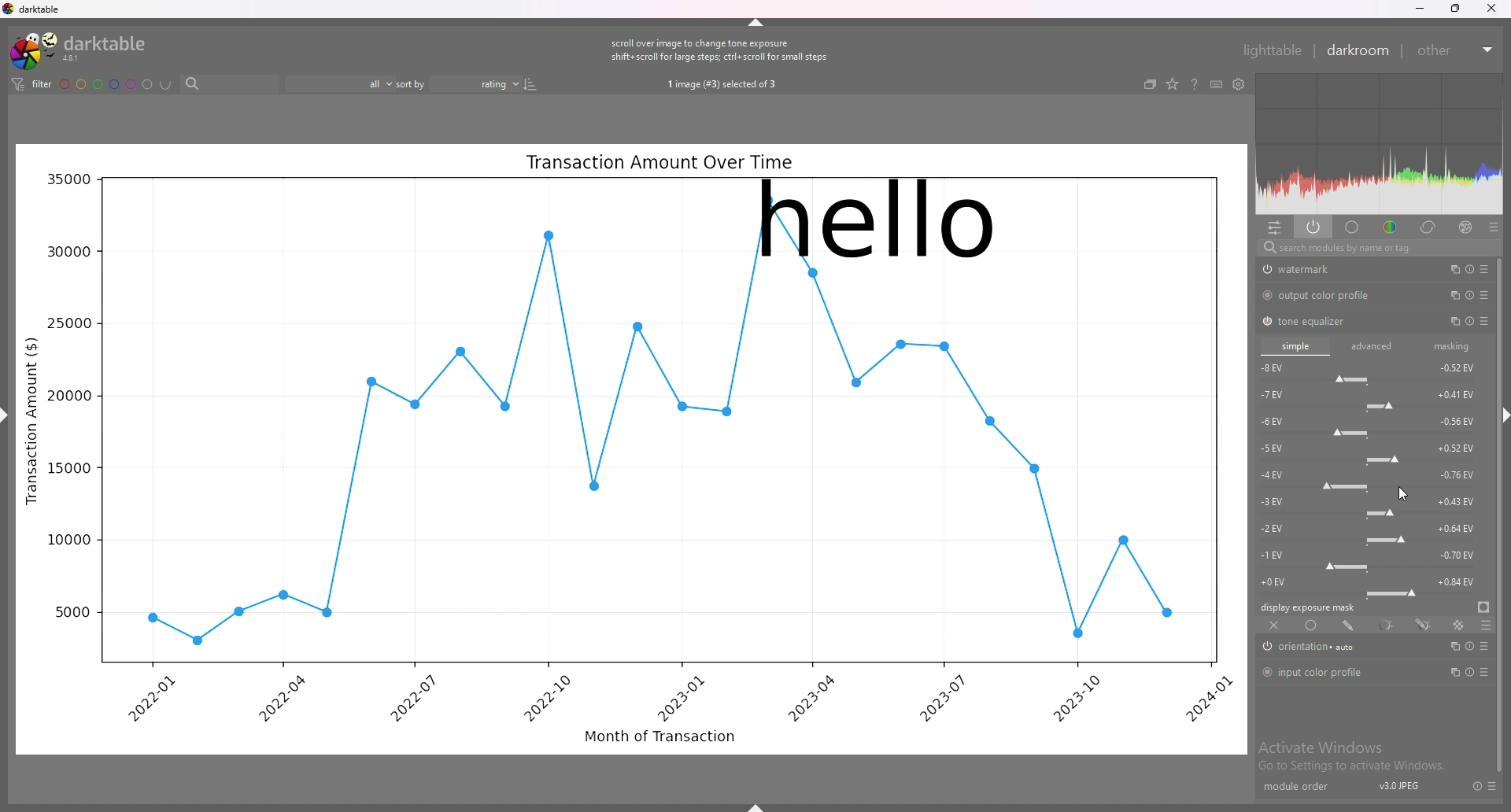 This screenshot has height=812, width=1511. Describe the element at coordinates (1420, 9) in the screenshot. I see `minimize` at that location.